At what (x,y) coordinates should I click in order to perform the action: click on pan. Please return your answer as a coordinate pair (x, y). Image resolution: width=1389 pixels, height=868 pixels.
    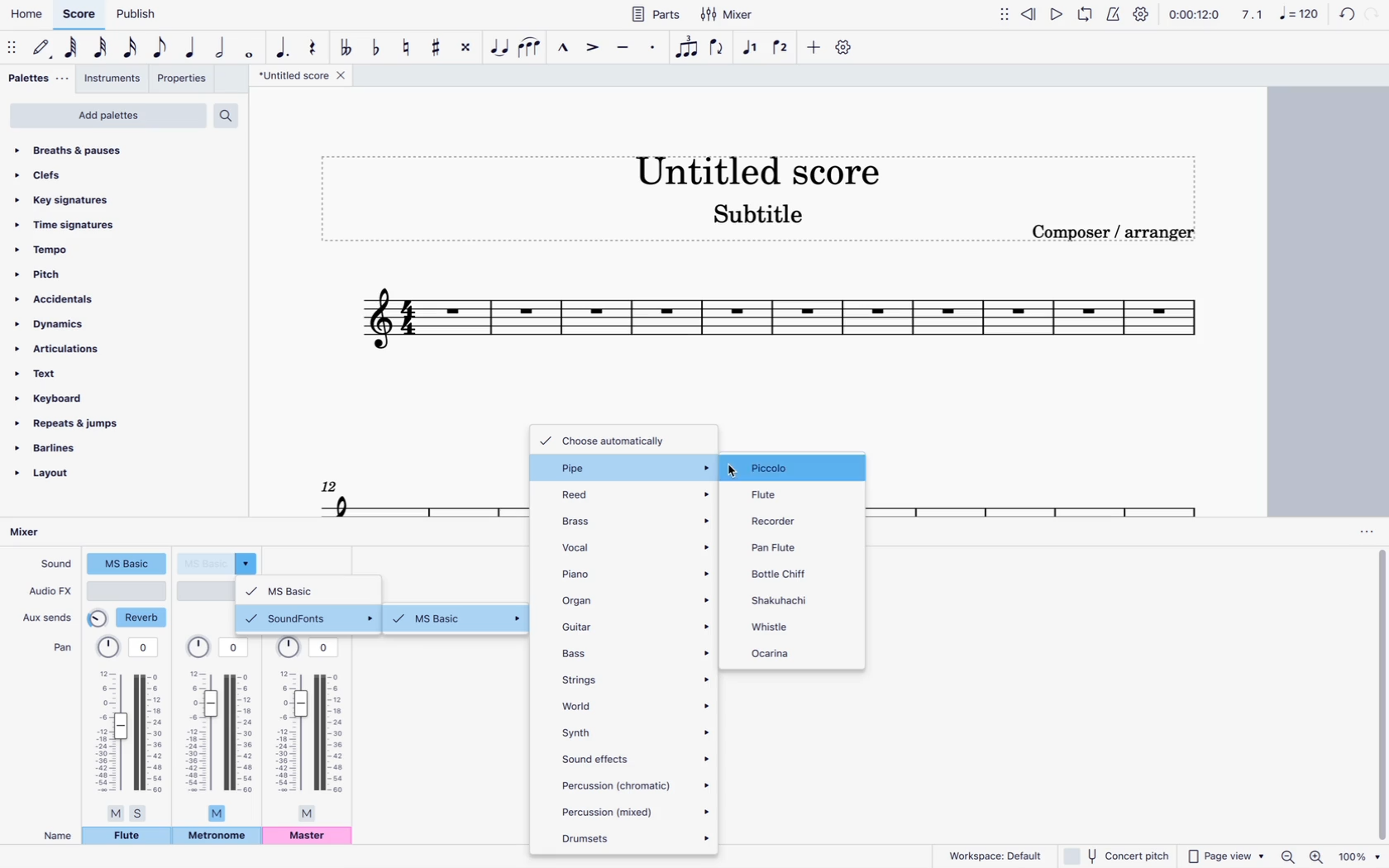
    Looking at the image, I should click on (60, 648).